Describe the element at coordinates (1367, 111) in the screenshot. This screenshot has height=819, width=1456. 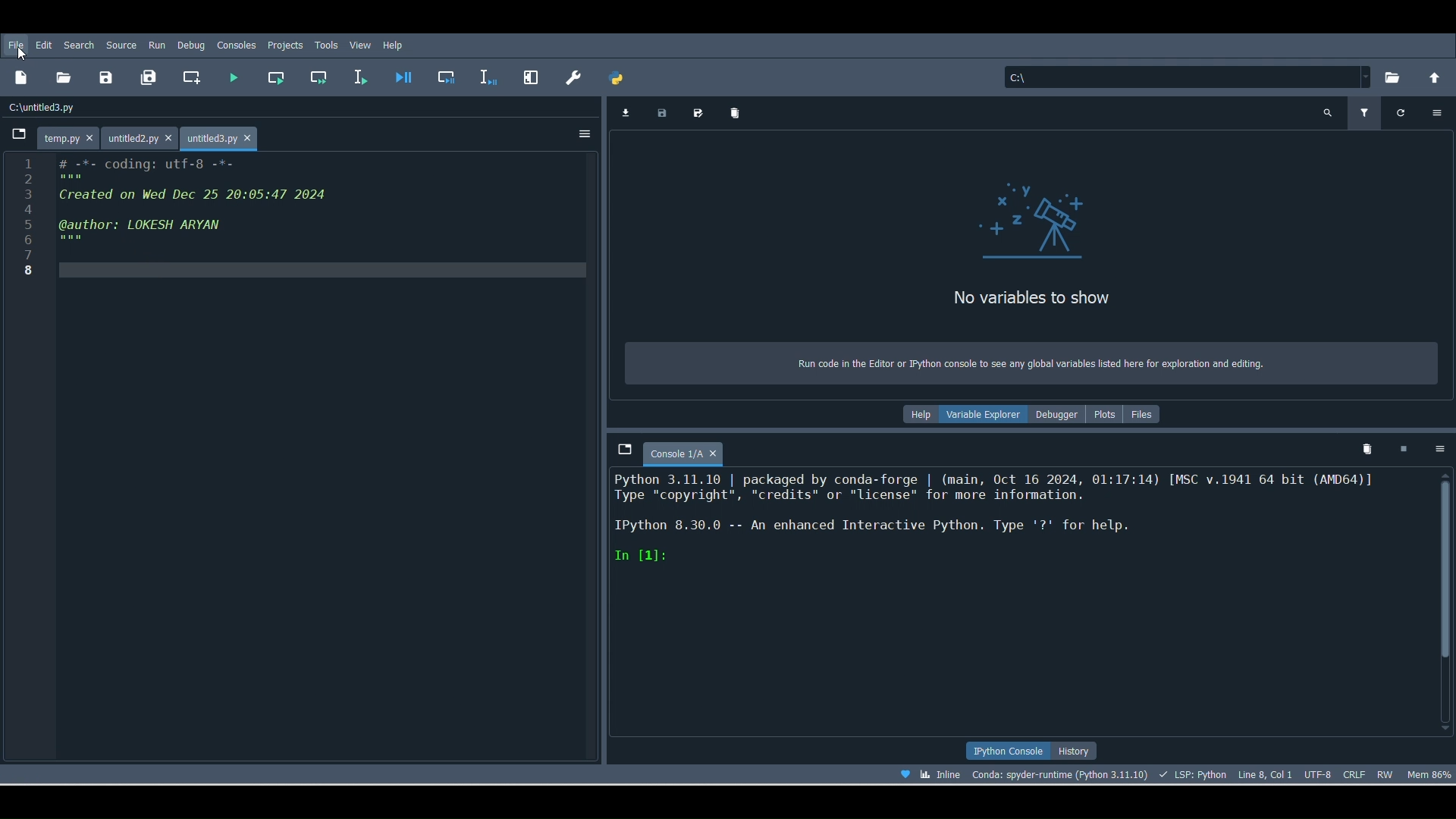
I see `Filter variables` at that location.